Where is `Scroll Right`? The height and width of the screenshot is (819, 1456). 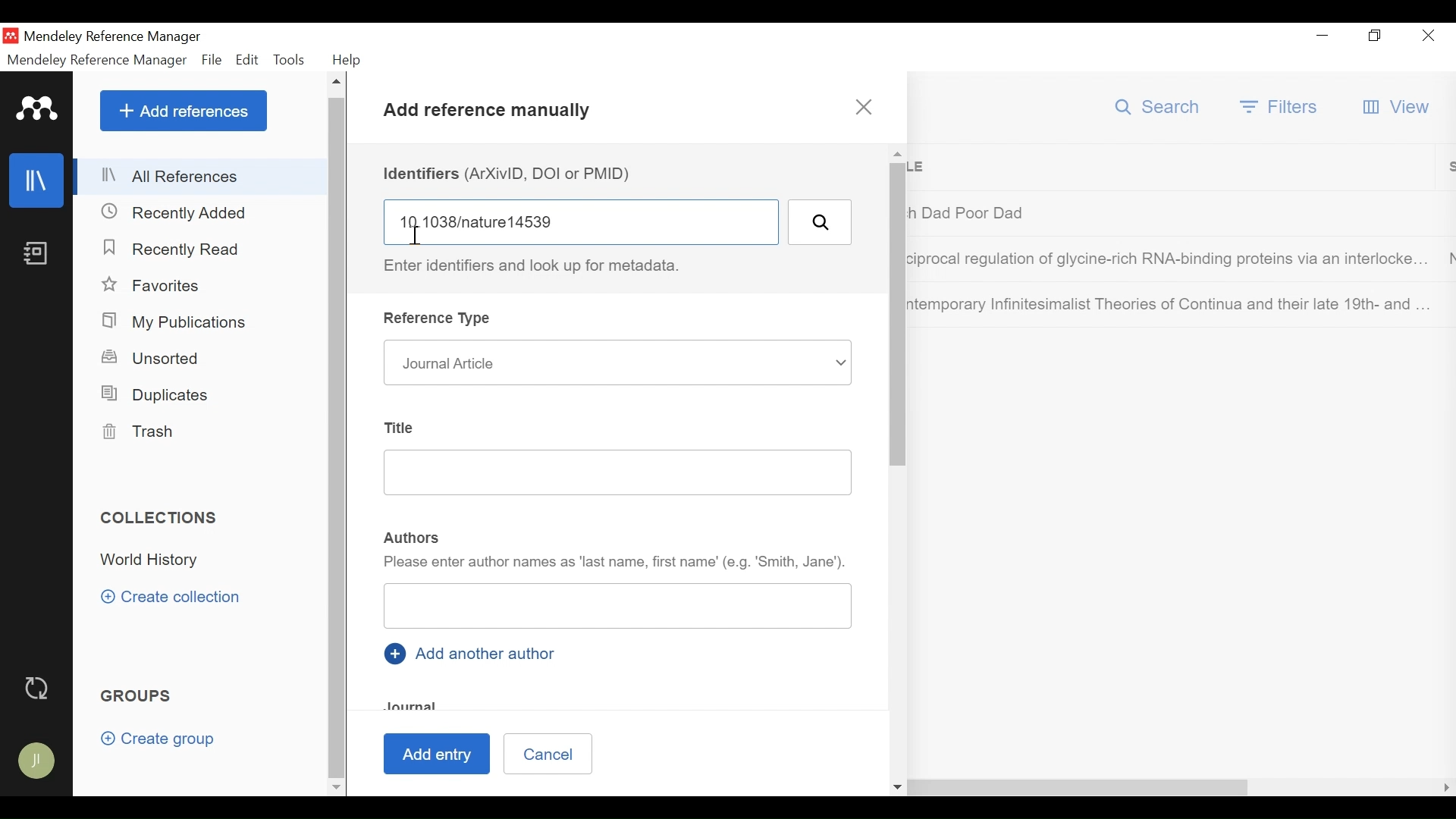 Scroll Right is located at coordinates (360, 786).